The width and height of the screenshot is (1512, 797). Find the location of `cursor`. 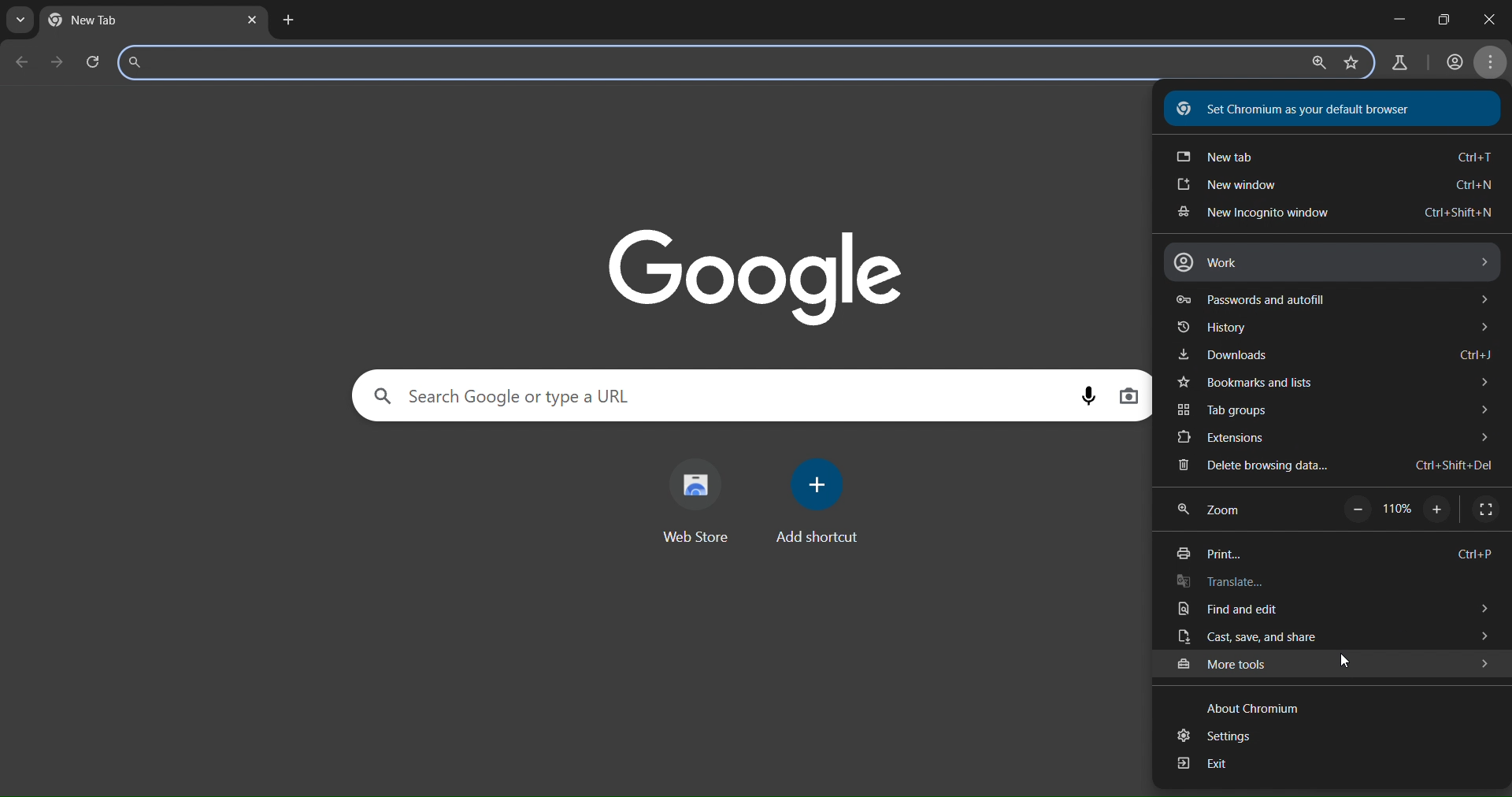

cursor is located at coordinates (1347, 662).